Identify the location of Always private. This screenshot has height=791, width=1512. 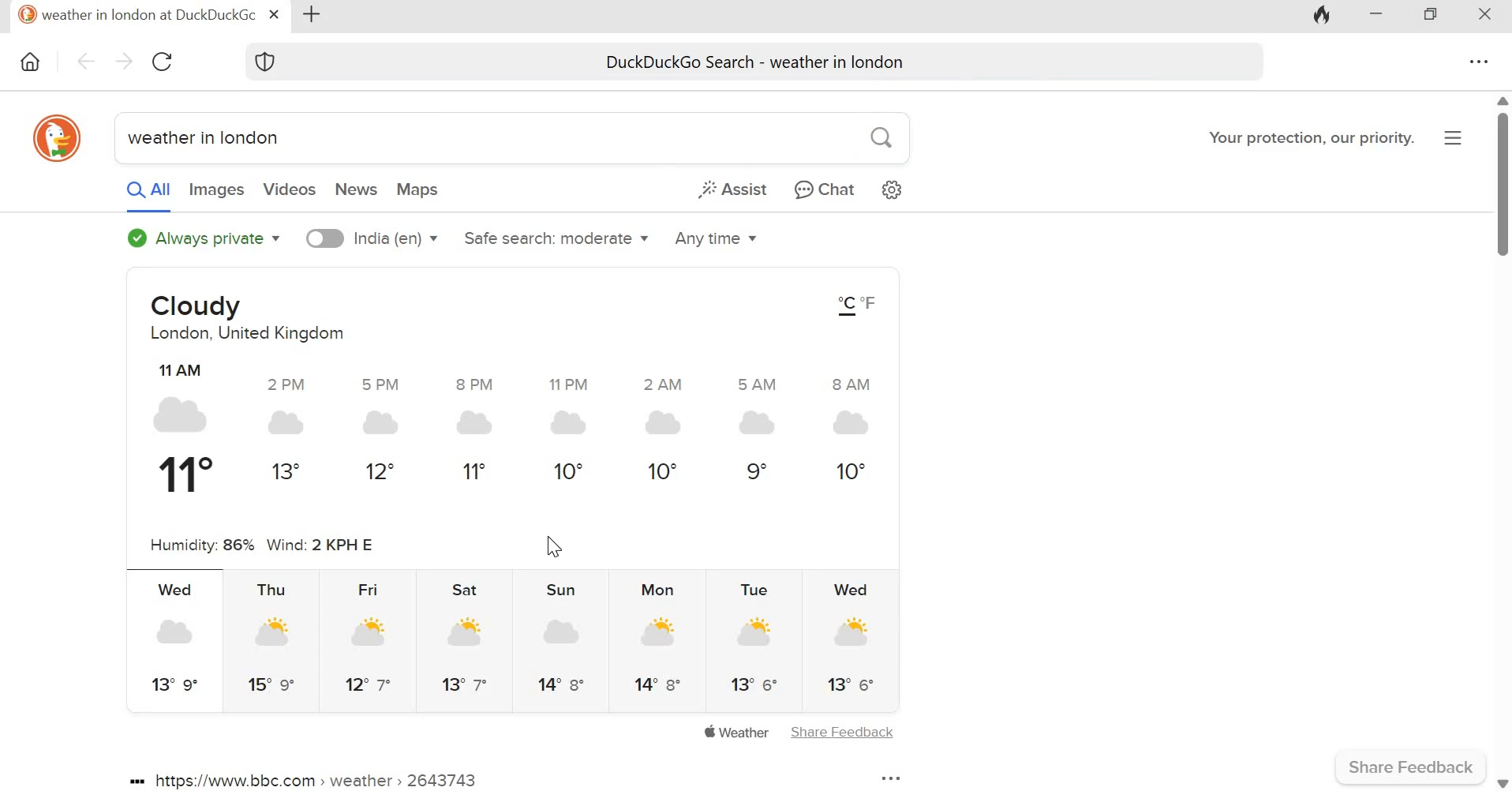
(202, 238).